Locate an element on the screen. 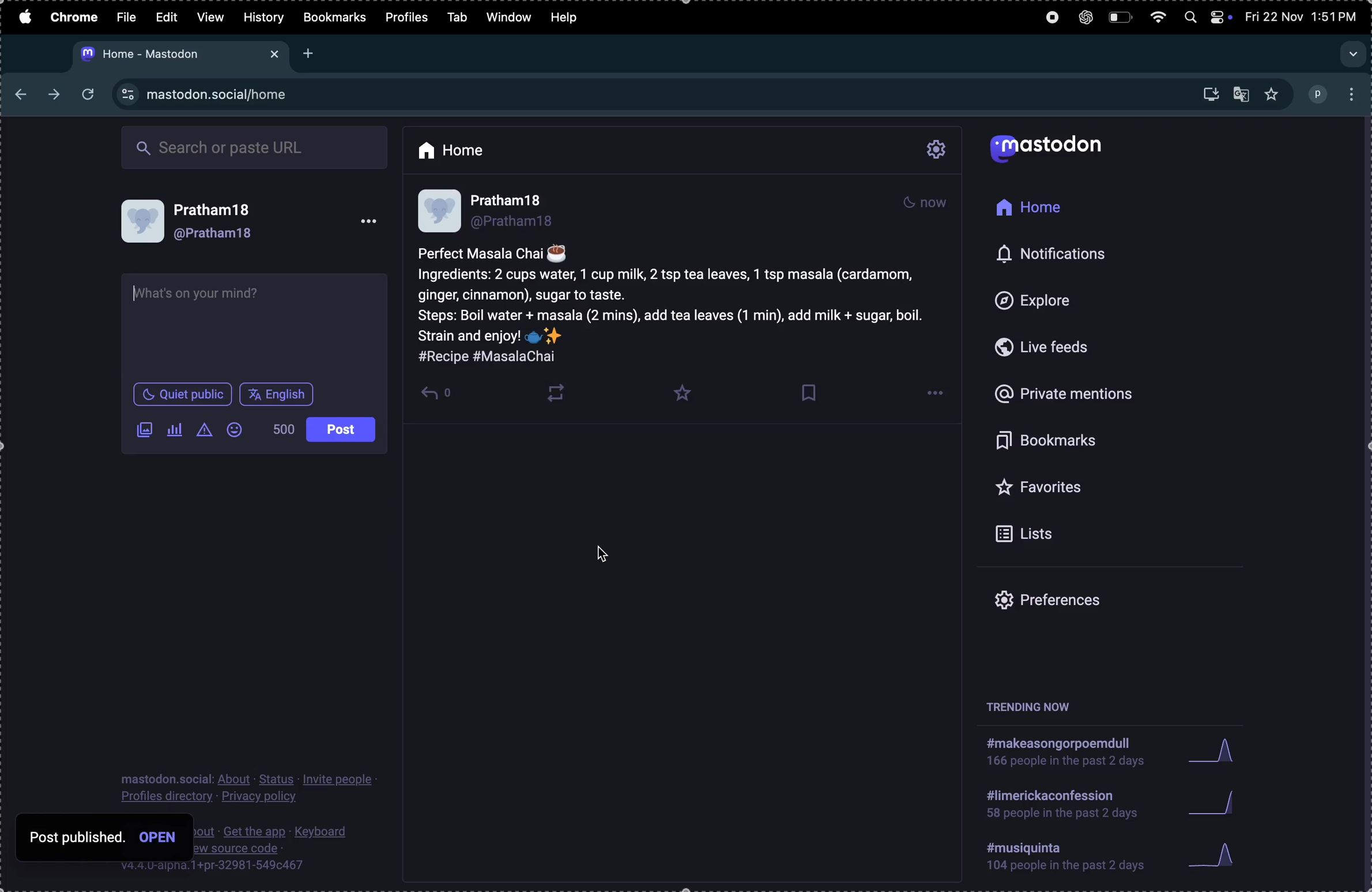  mastodon url is located at coordinates (179, 59).